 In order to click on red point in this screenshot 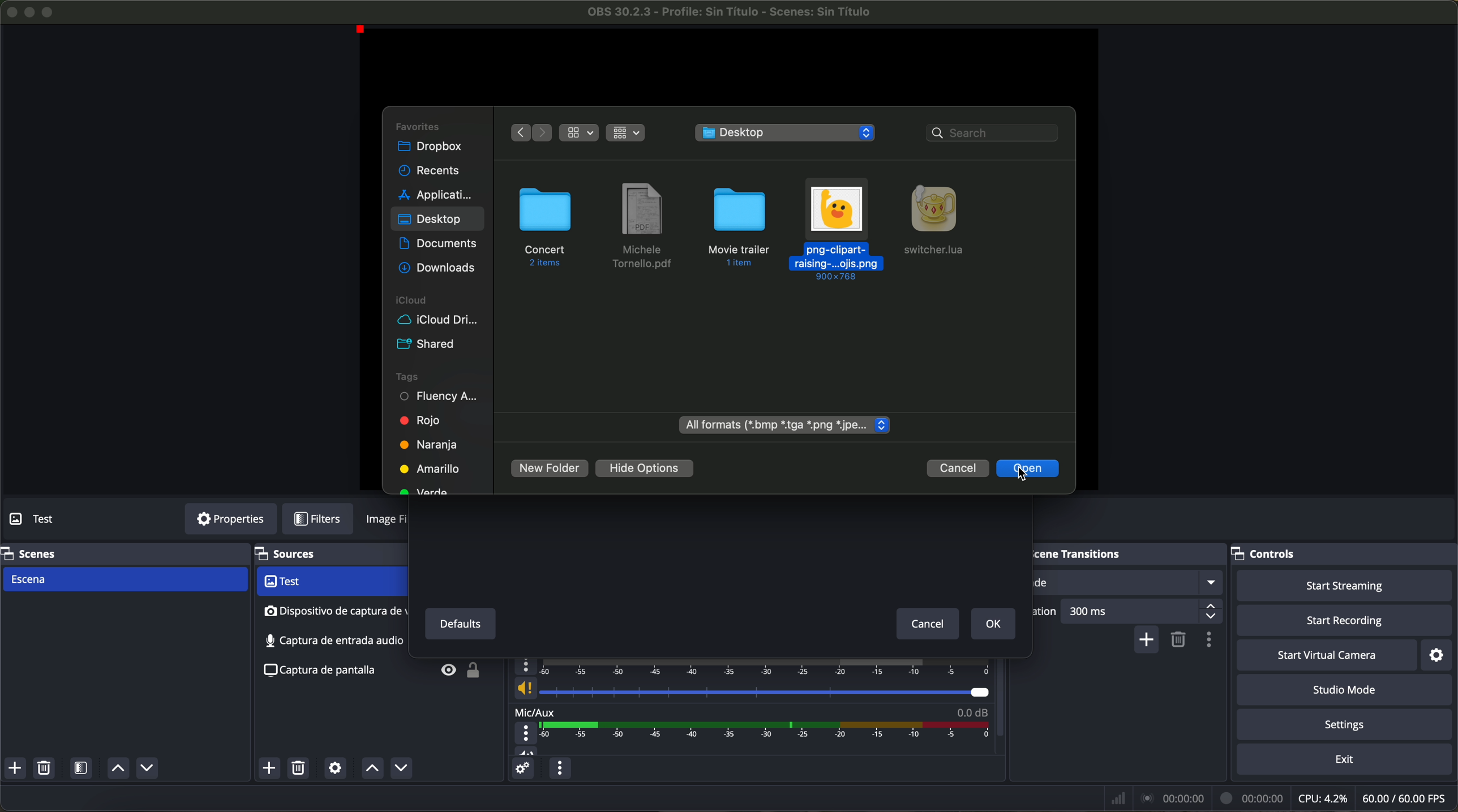, I will do `click(363, 31)`.